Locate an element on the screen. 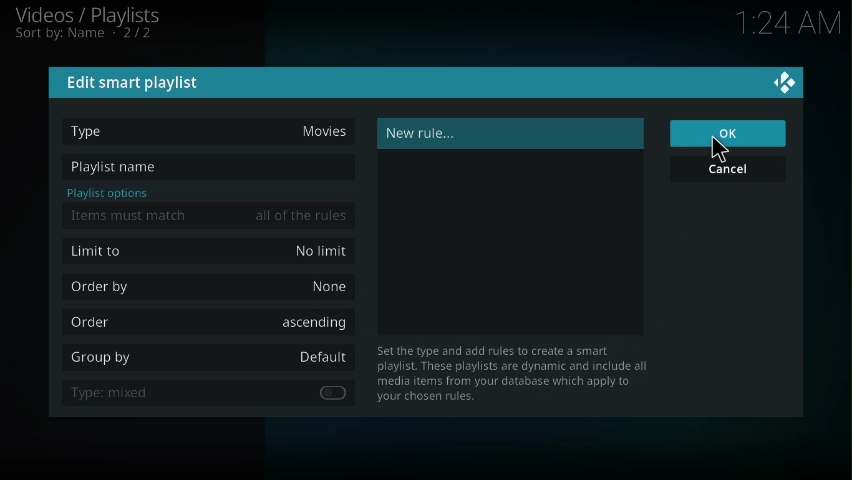  videos is located at coordinates (92, 14).